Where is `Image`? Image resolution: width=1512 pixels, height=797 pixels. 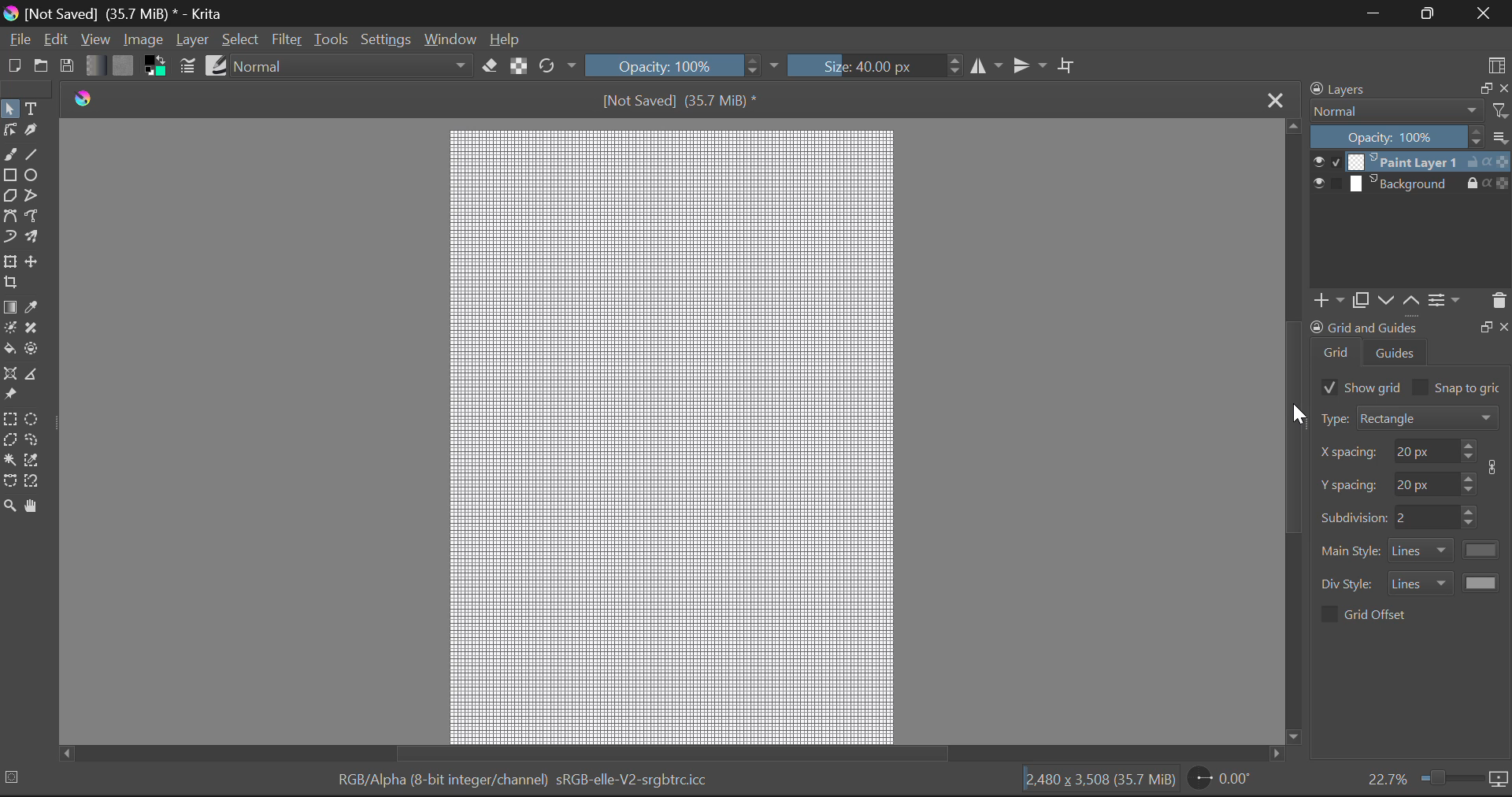
Image is located at coordinates (143, 39).